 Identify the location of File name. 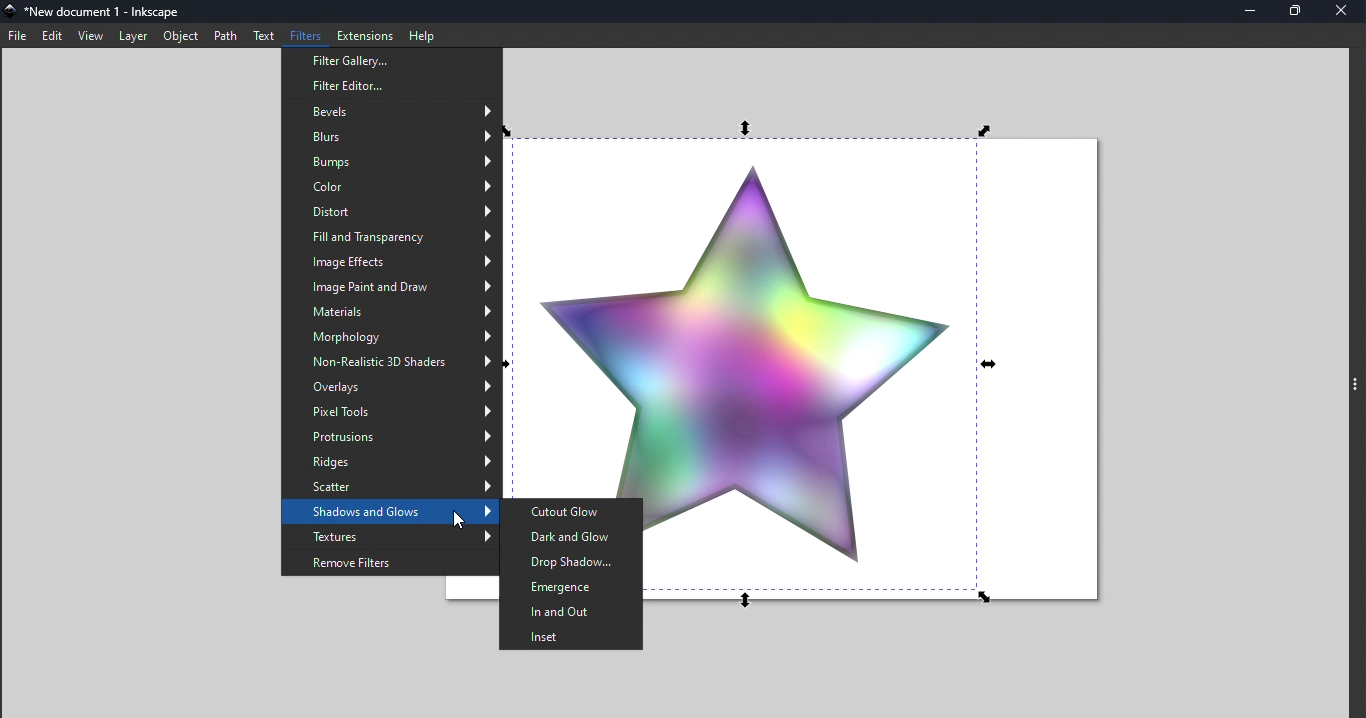
(106, 13).